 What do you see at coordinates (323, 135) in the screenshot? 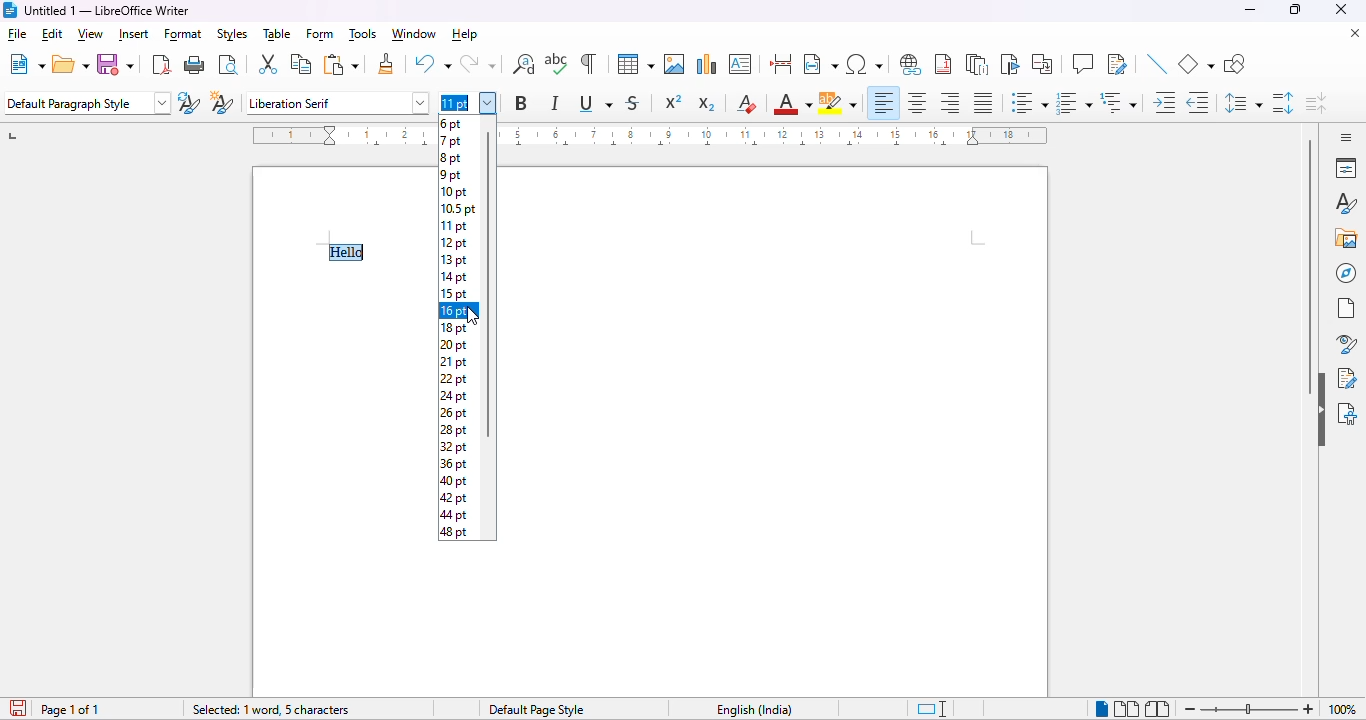
I see `ruler` at bounding box center [323, 135].